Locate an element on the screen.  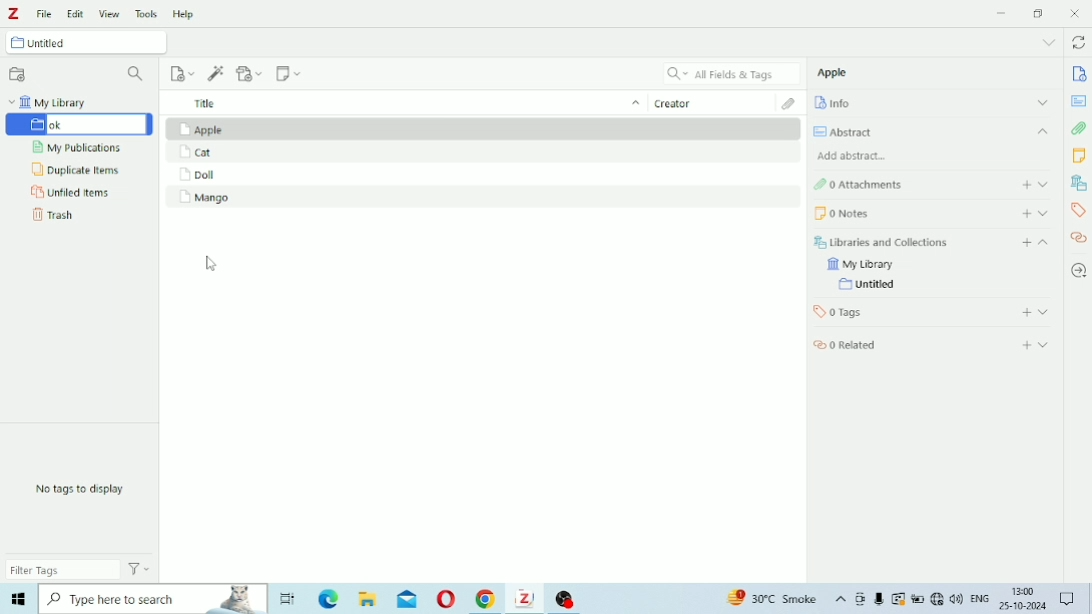
Libraries and Collections is located at coordinates (880, 242).